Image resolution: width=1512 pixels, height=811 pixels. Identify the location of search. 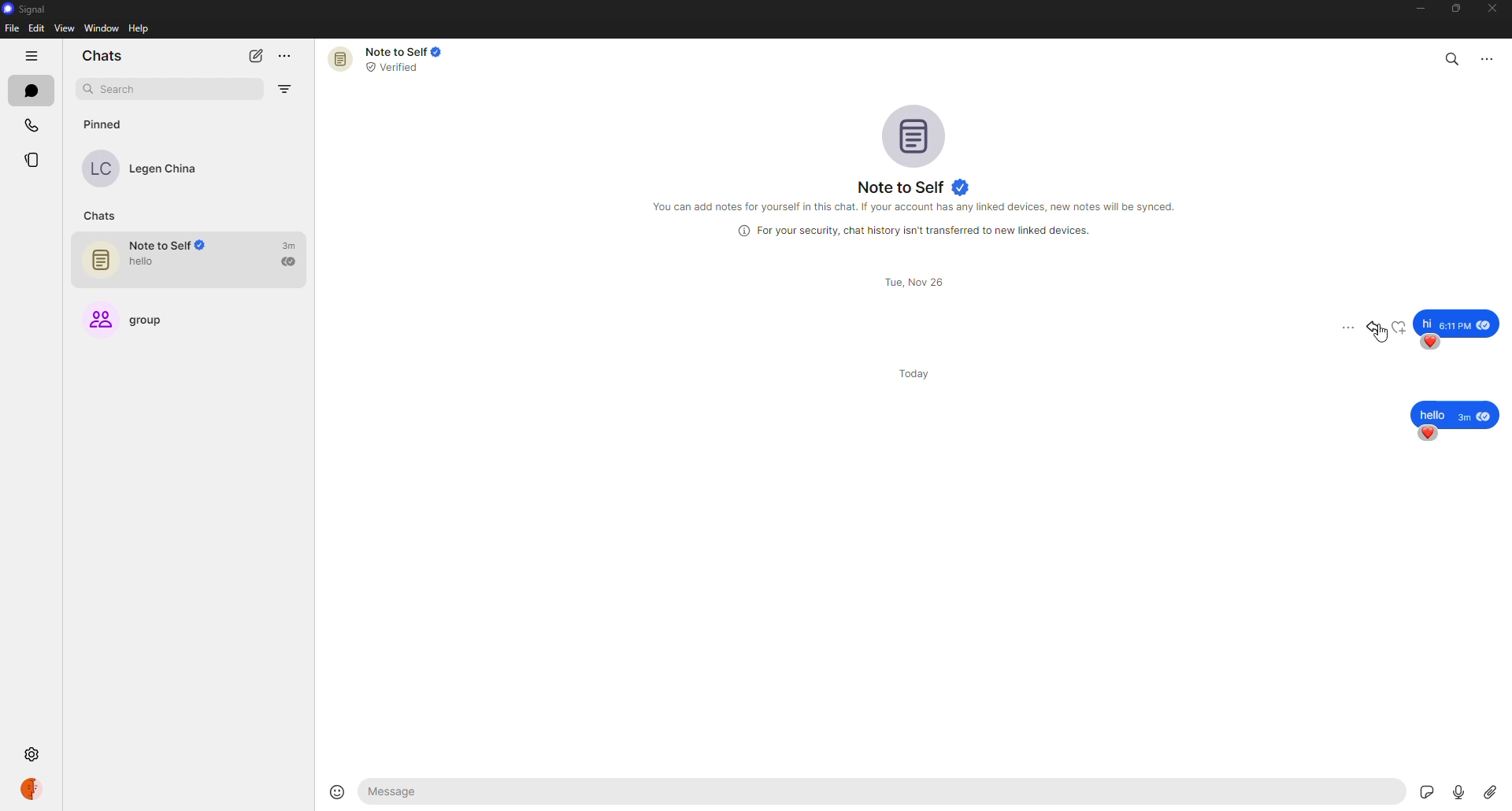
(1453, 57).